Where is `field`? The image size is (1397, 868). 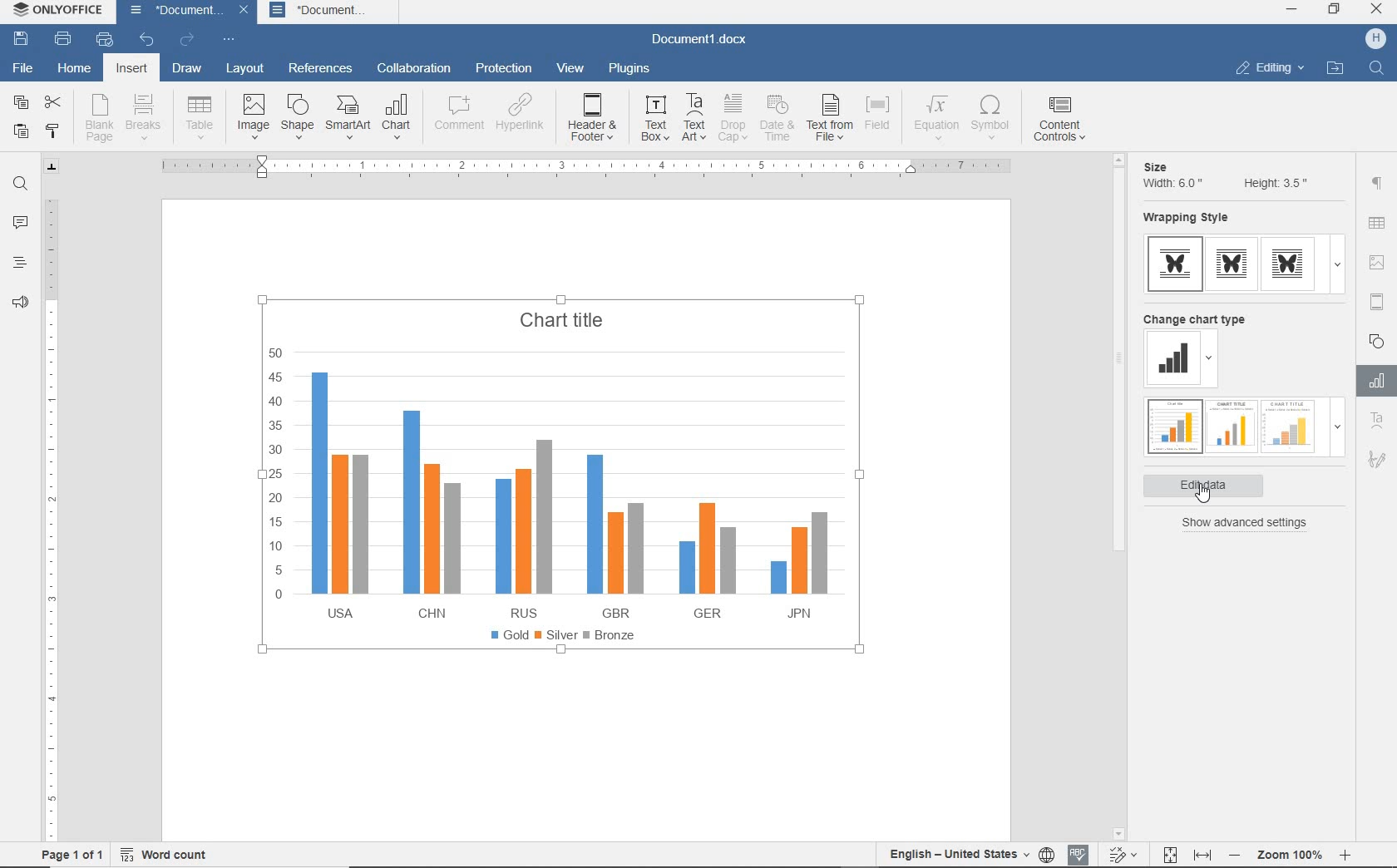 field is located at coordinates (879, 118).